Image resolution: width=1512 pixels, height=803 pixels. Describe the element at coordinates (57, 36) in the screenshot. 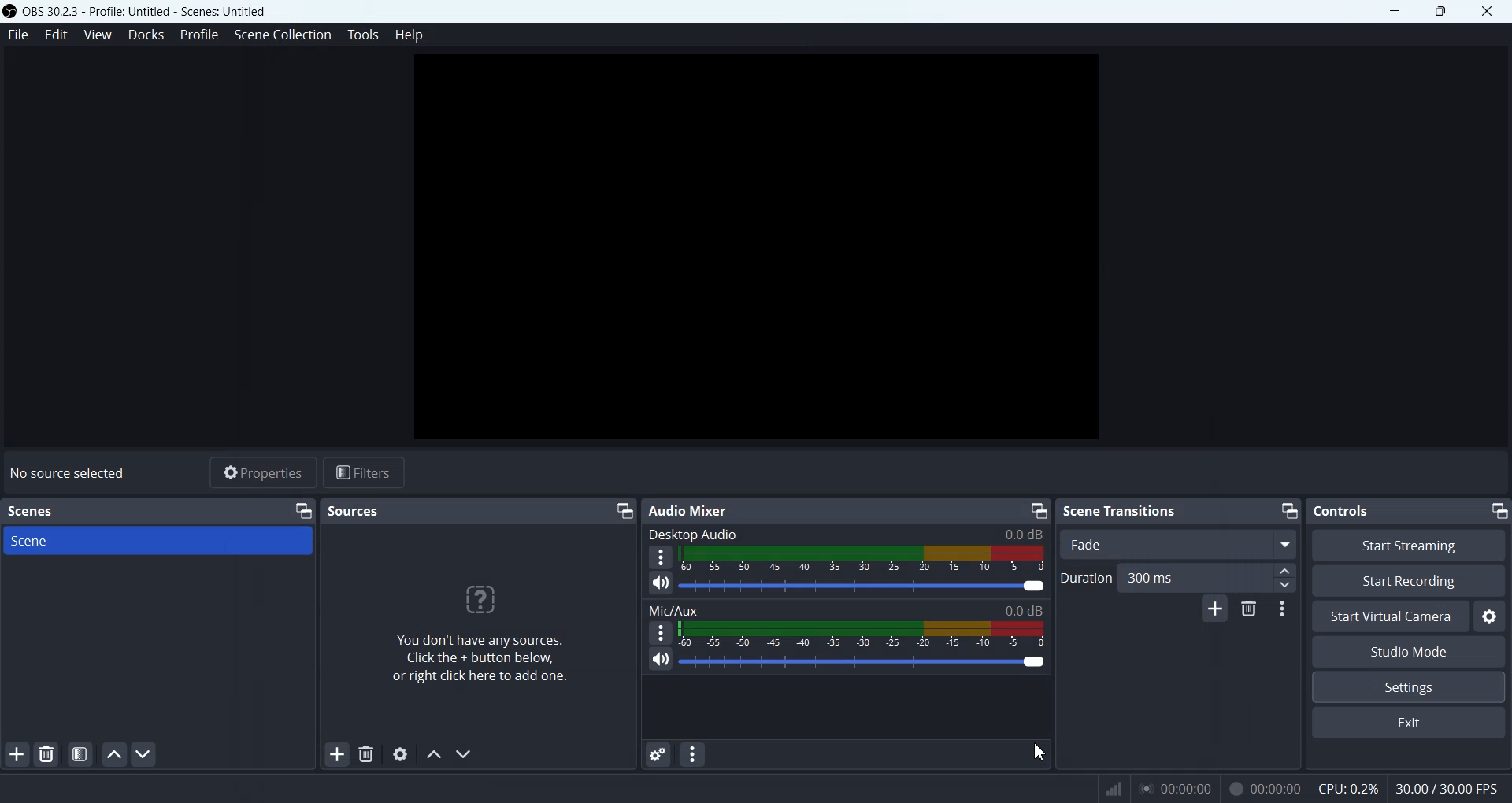

I see `Edit` at that location.